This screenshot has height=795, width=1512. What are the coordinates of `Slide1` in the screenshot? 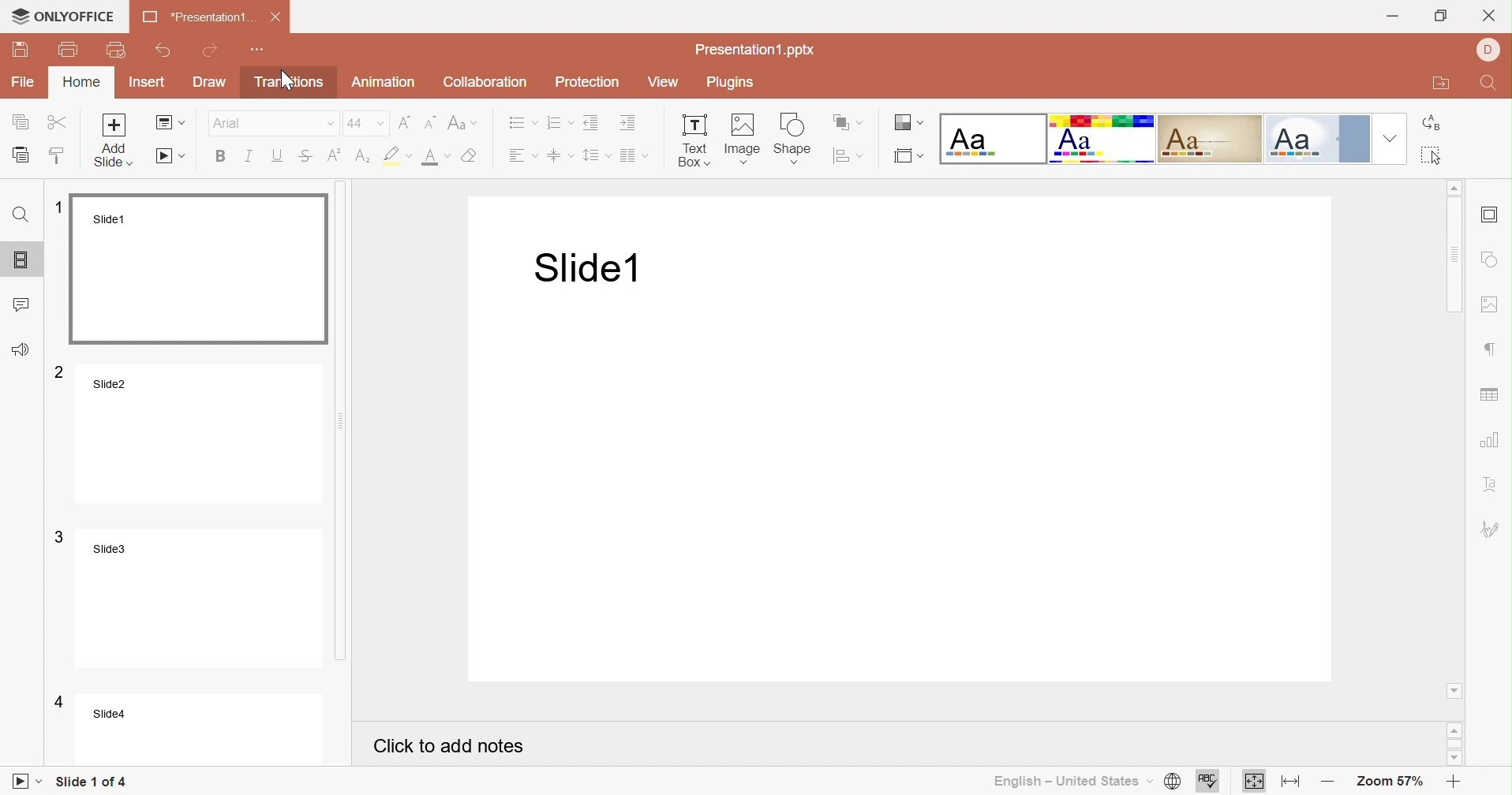 It's located at (582, 268).